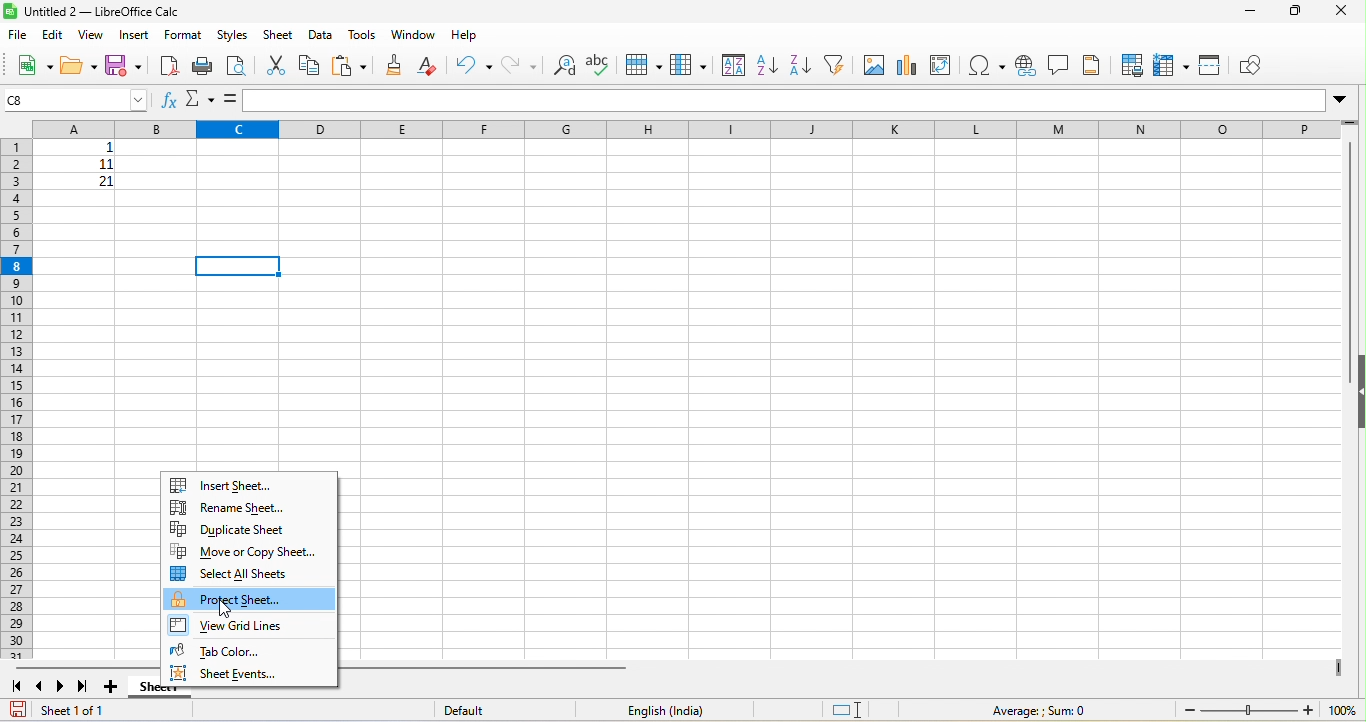  What do you see at coordinates (907, 65) in the screenshot?
I see `chart` at bounding box center [907, 65].